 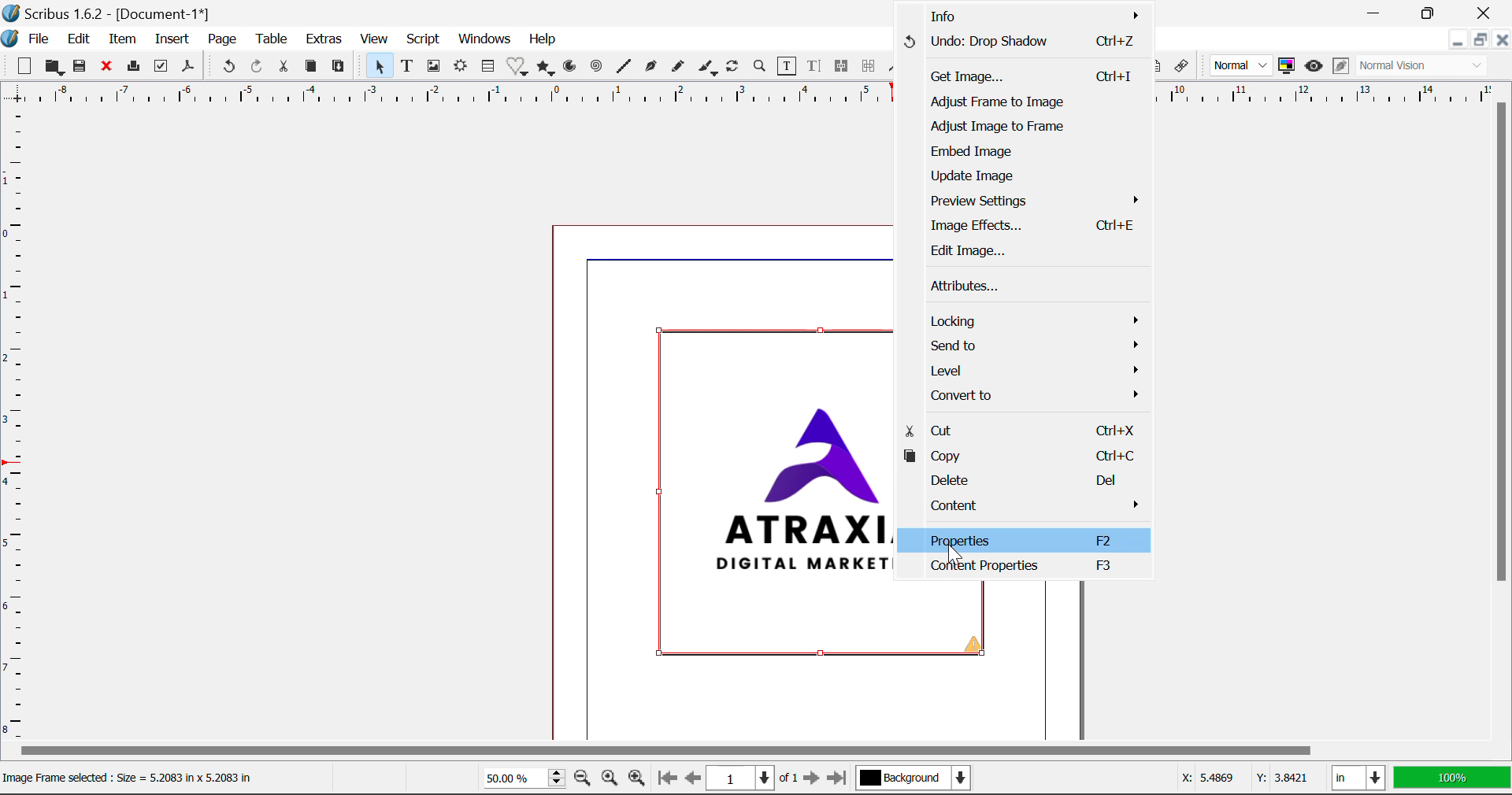 What do you see at coordinates (1019, 481) in the screenshot?
I see `Delete` at bounding box center [1019, 481].